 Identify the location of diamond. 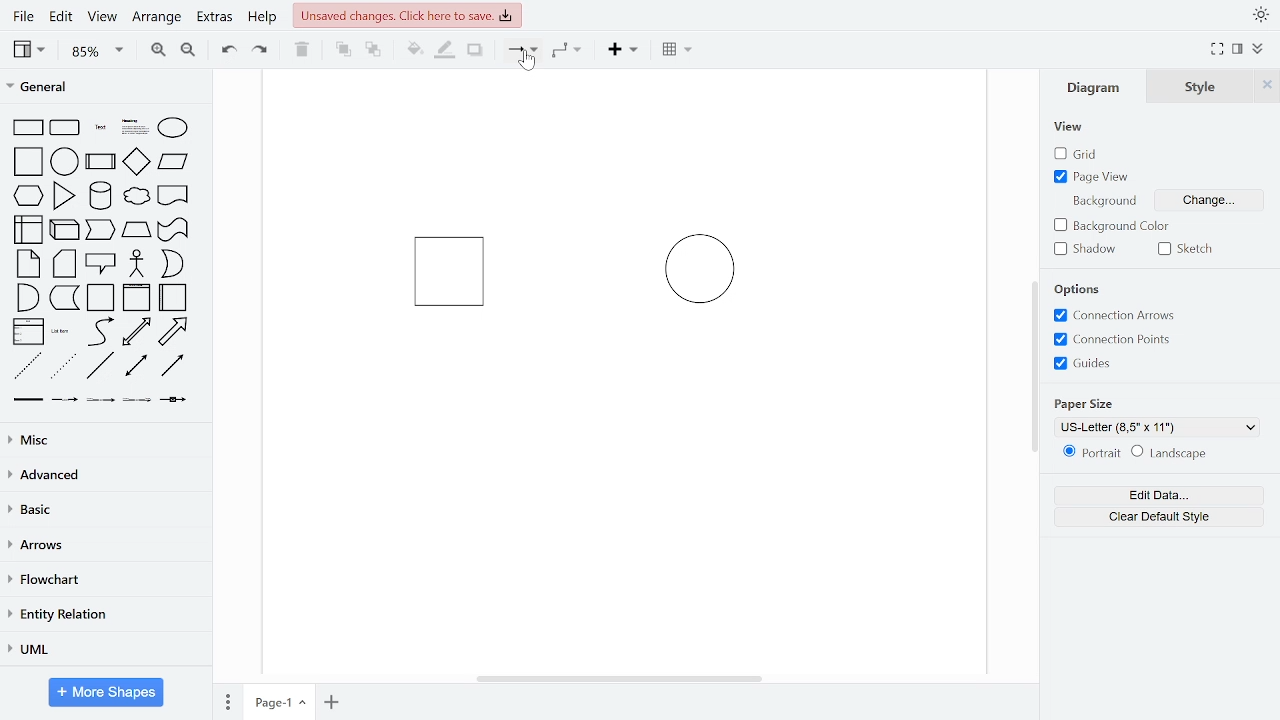
(136, 163).